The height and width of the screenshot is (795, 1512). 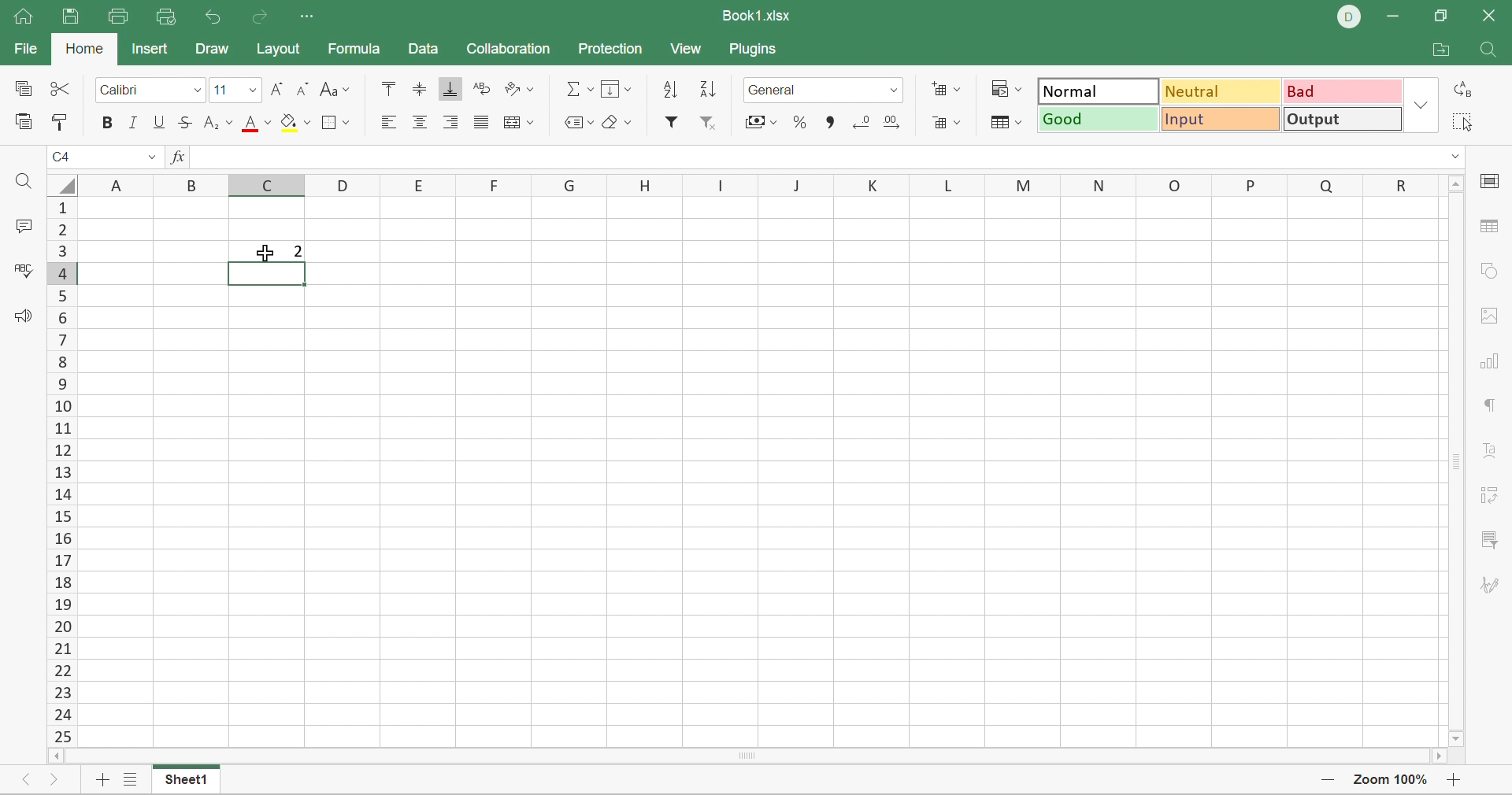 What do you see at coordinates (799, 120) in the screenshot?
I see `Percent style` at bounding box center [799, 120].